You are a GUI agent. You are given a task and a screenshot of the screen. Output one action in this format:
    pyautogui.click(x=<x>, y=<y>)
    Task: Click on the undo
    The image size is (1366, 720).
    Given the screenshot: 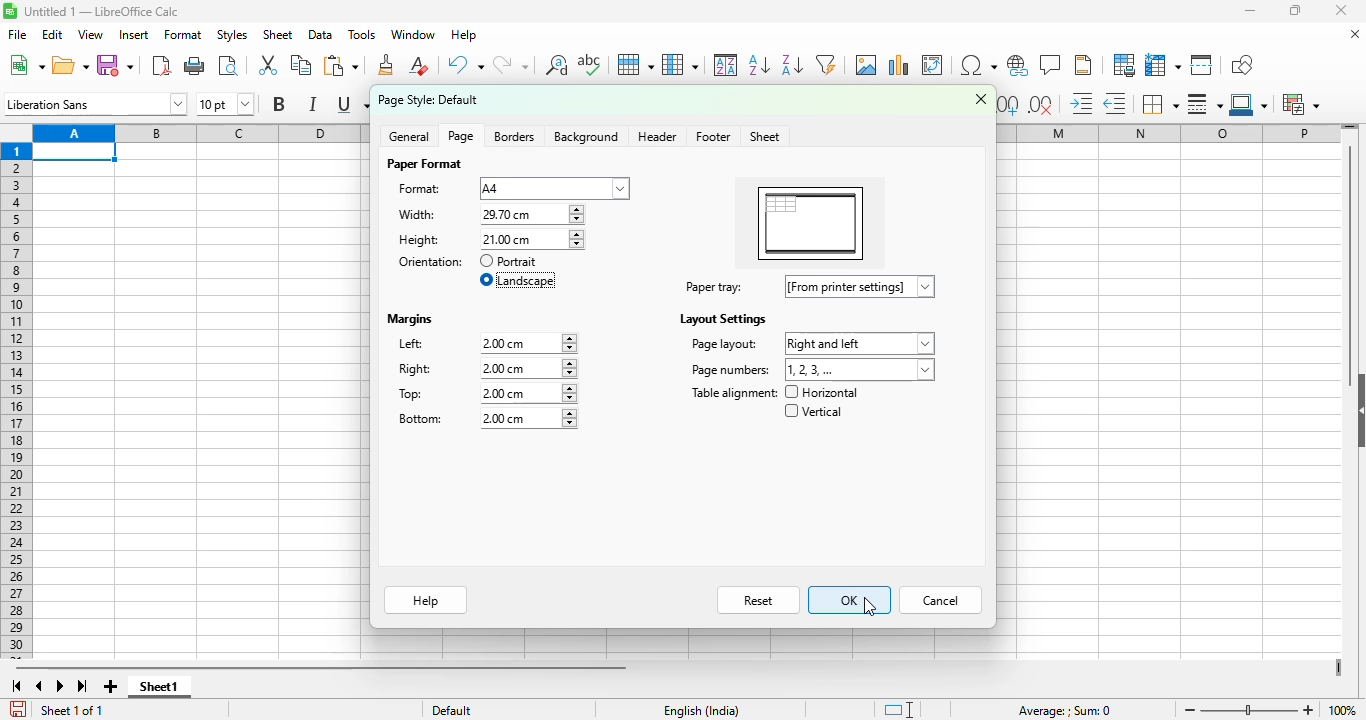 What is the action you would take?
    pyautogui.click(x=464, y=65)
    